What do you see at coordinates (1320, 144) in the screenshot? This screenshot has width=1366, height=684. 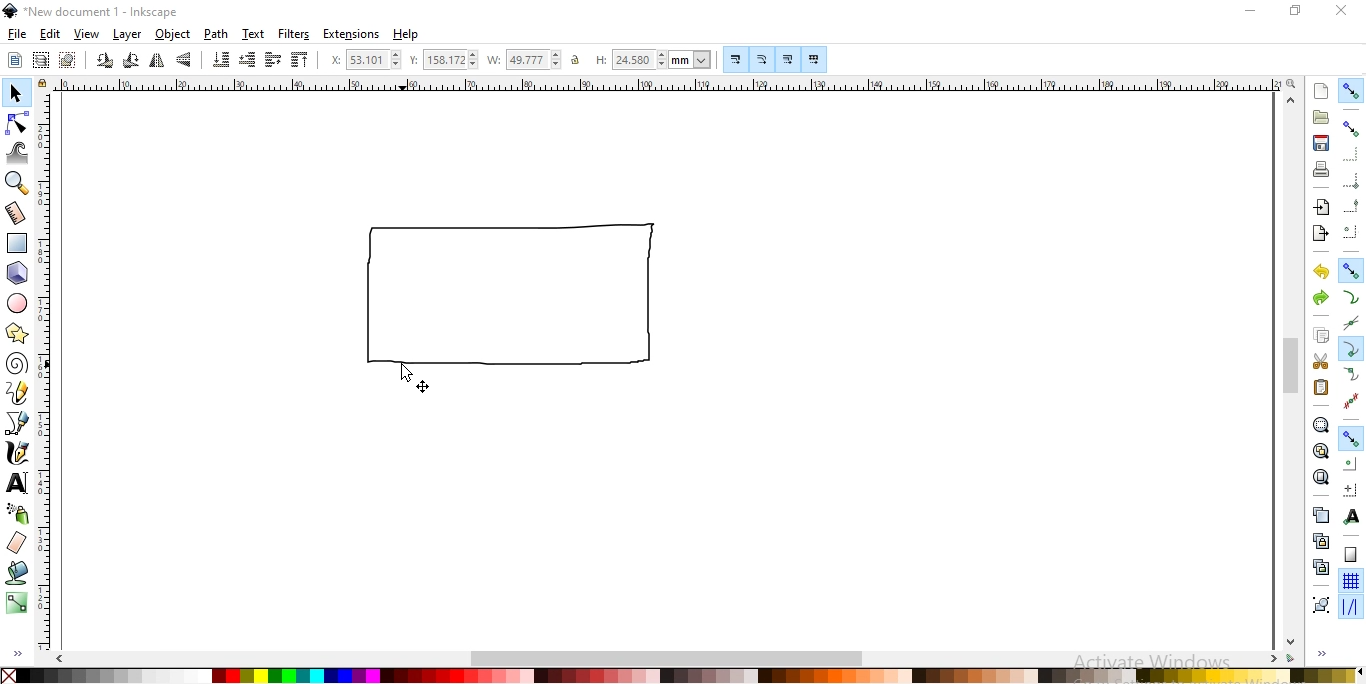 I see `save document` at bounding box center [1320, 144].